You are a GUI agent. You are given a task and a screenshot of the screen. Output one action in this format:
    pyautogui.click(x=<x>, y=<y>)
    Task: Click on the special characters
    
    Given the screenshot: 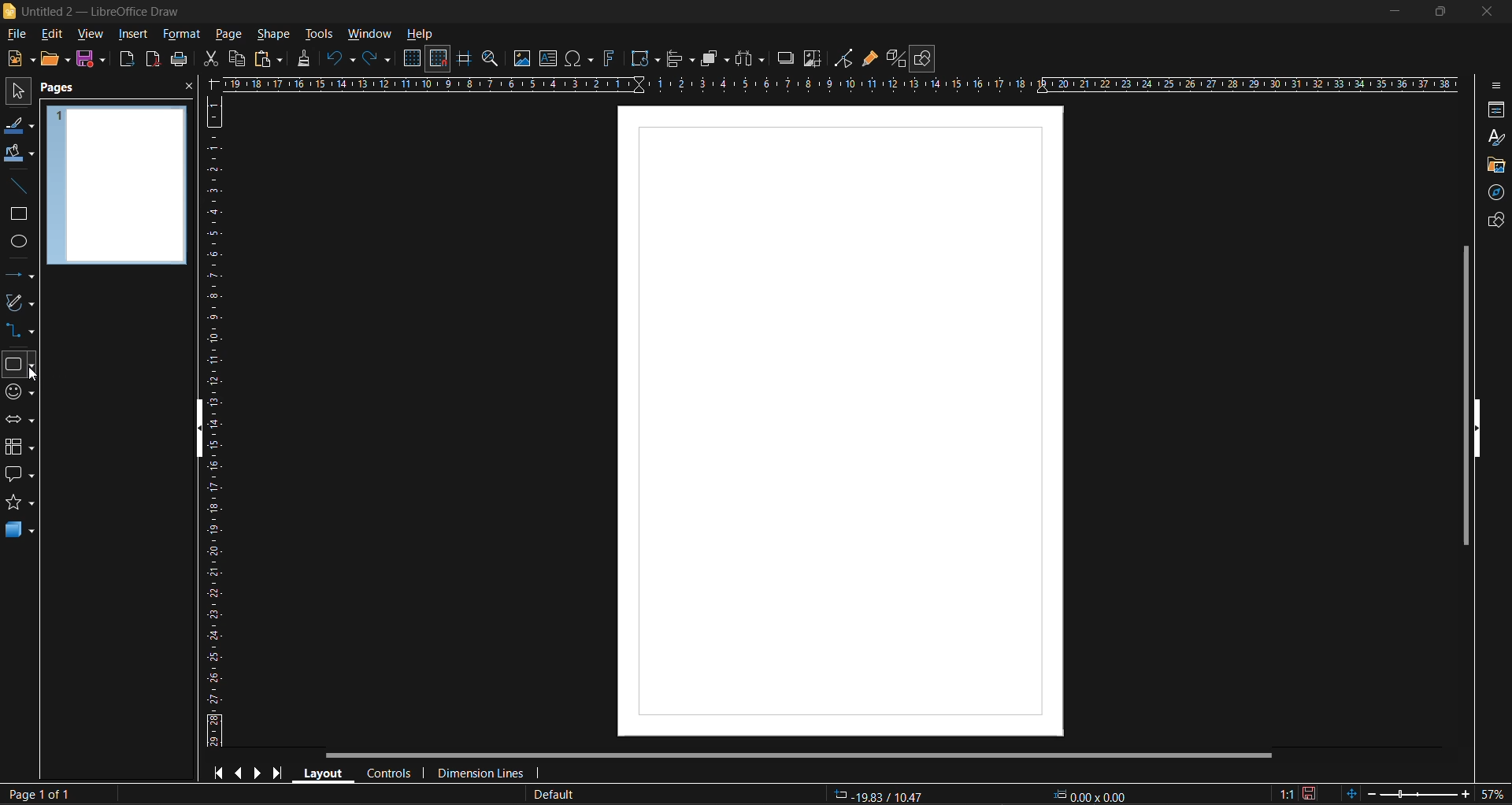 What is the action you would take?
    pyautogui.click(x=580, y=59)
    